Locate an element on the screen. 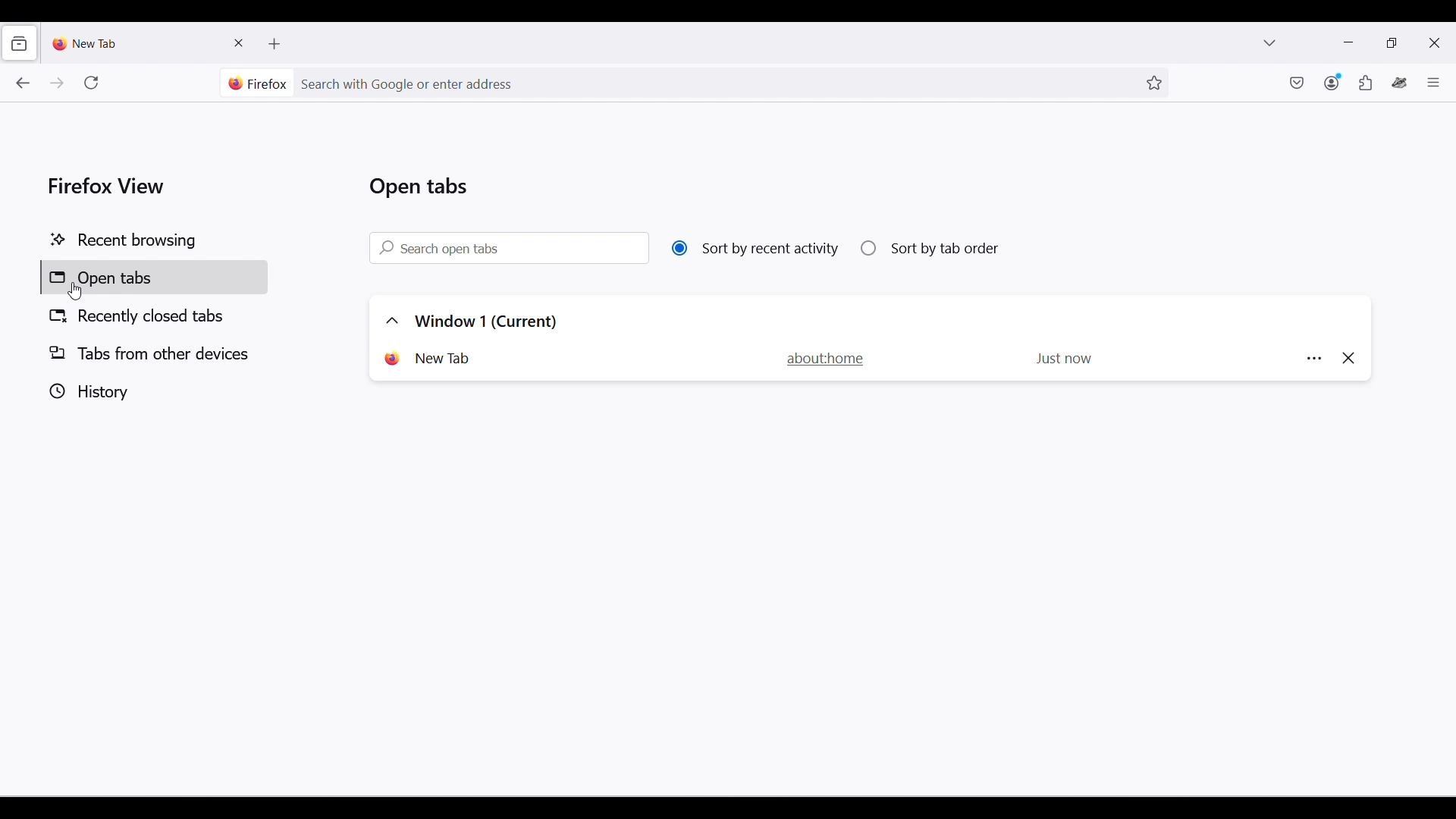 This screenshot has width=1456, height=819. Search with Google or enter address is located at coordinates (715, 83).